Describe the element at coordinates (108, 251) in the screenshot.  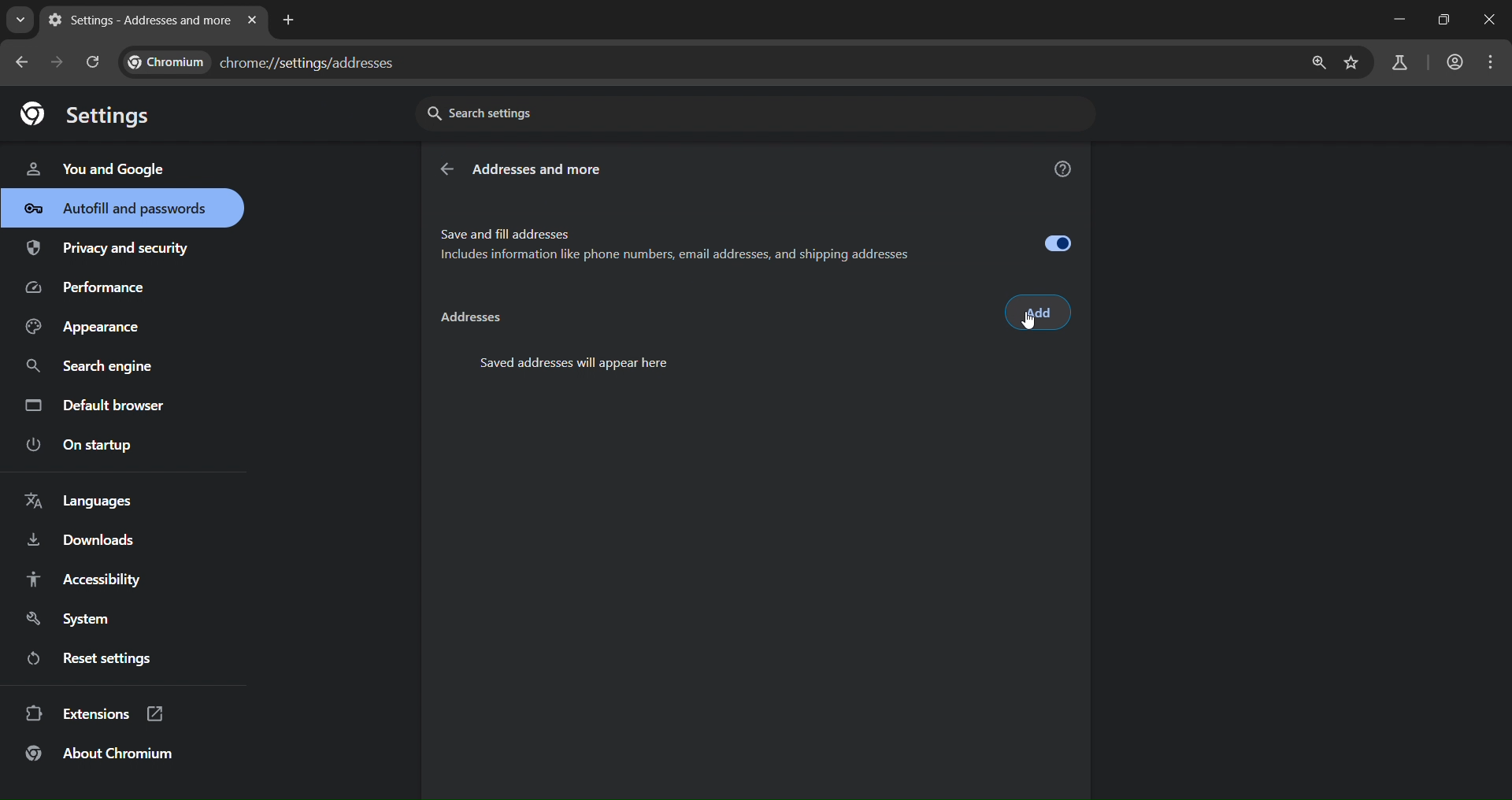
I see `privacy & security` at that location.